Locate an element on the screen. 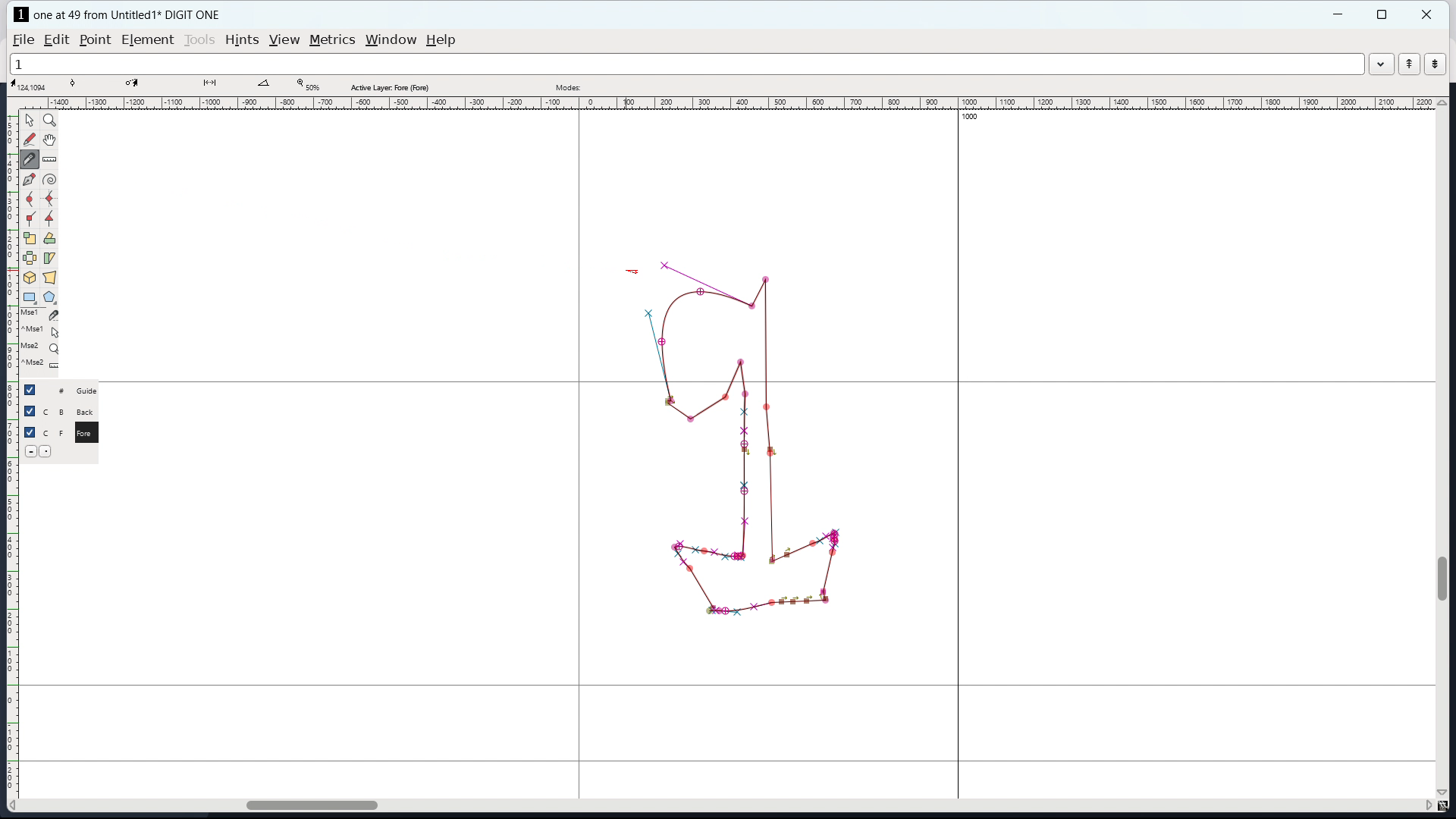 The width and height of the screenshot is (1456, 819). rotate the selection is located at coordinates (49, 239).